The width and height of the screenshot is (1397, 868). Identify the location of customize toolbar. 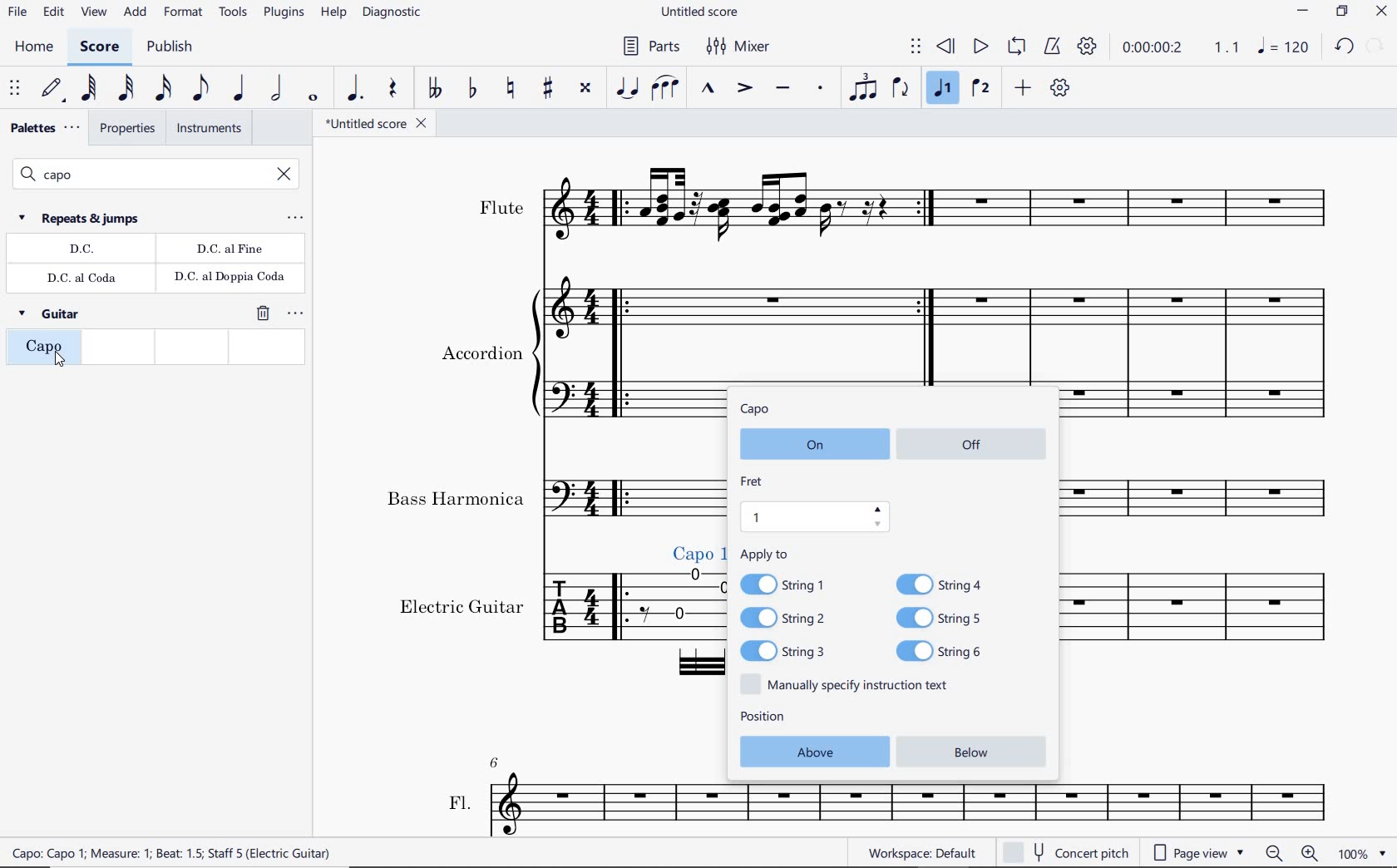
(1062, 89).